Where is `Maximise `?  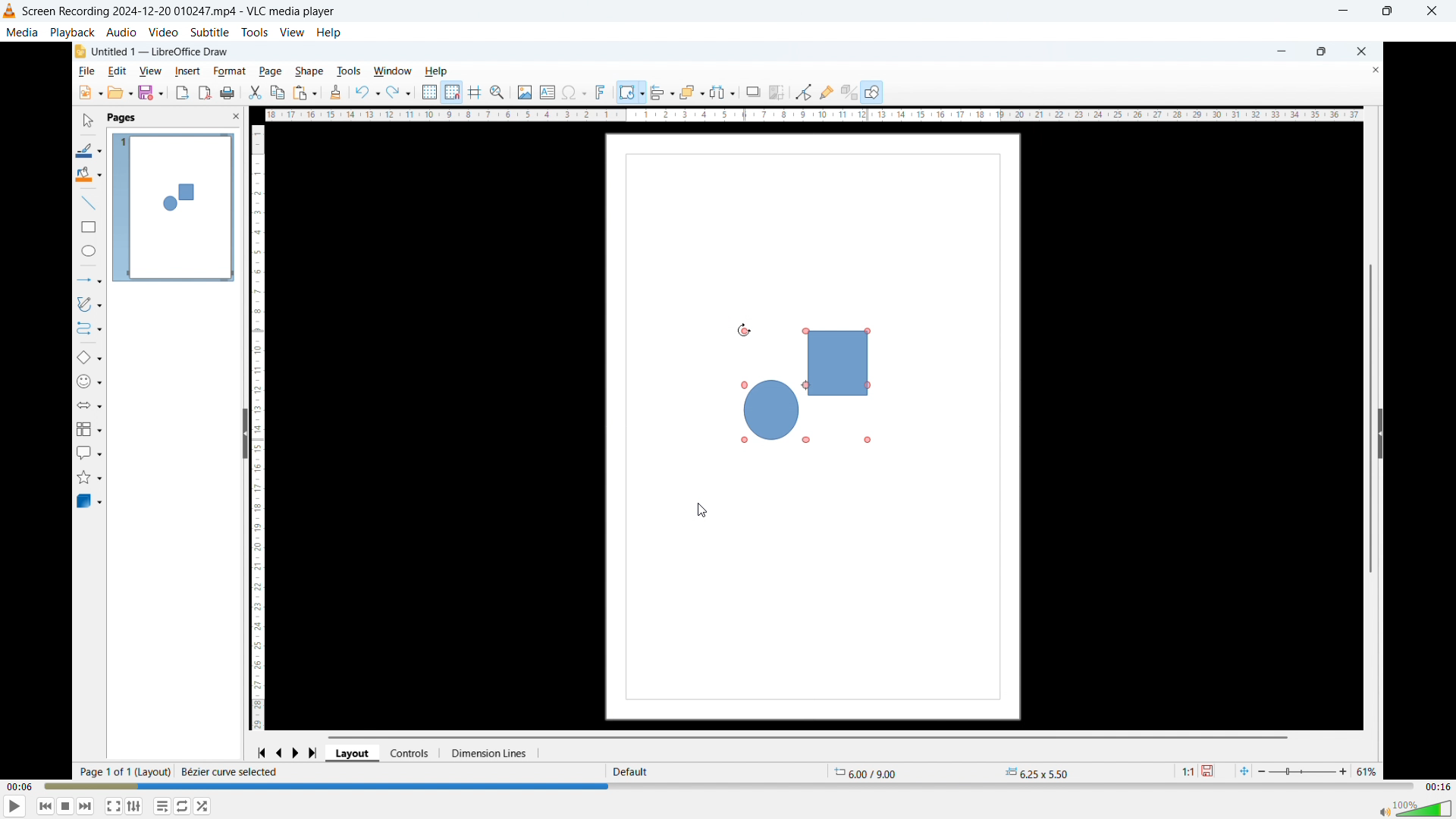
Maximise  is located at coordinates (1387, 12).